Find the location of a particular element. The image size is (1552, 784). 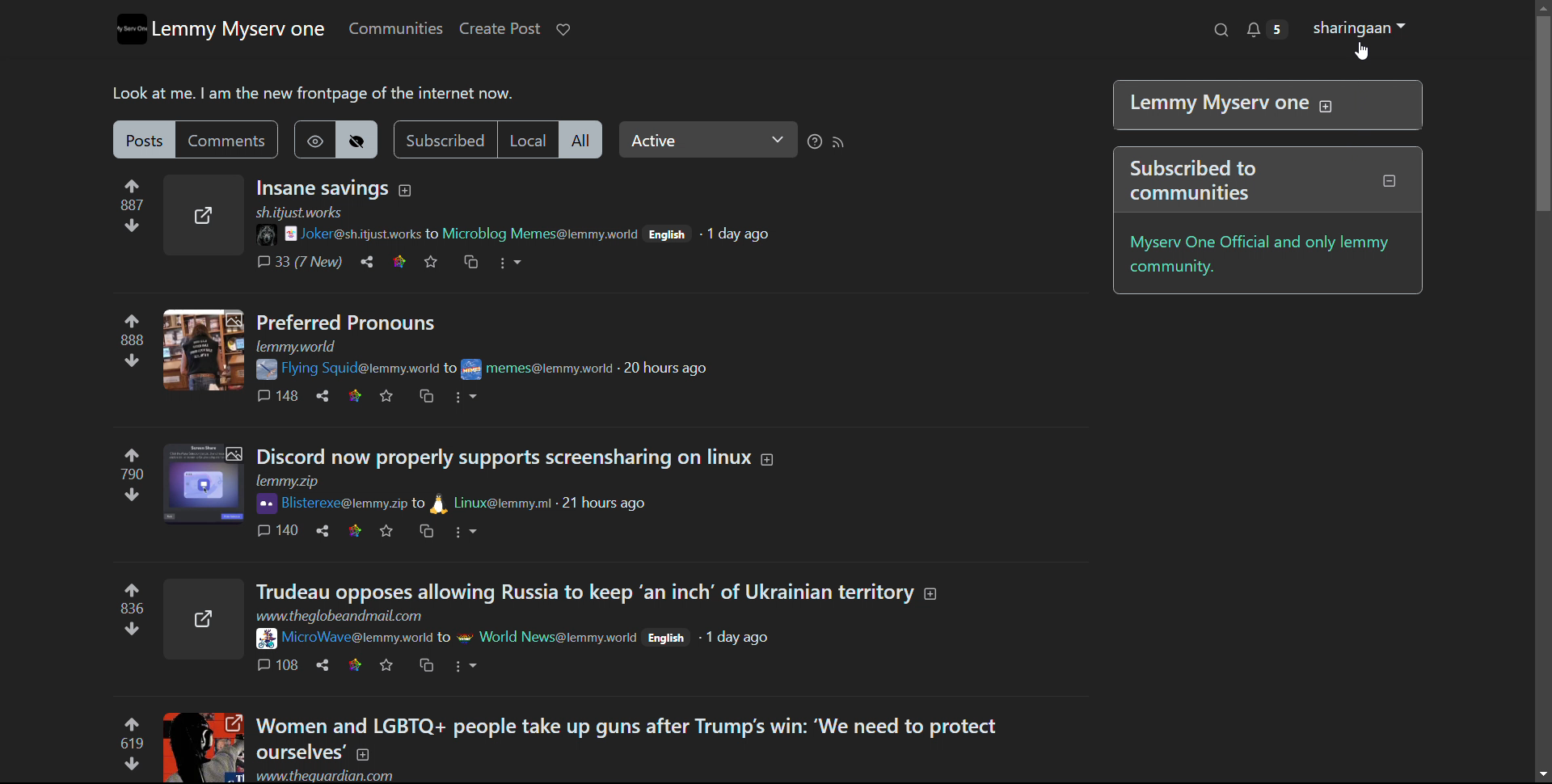

title is located at coordinates (584, 593).